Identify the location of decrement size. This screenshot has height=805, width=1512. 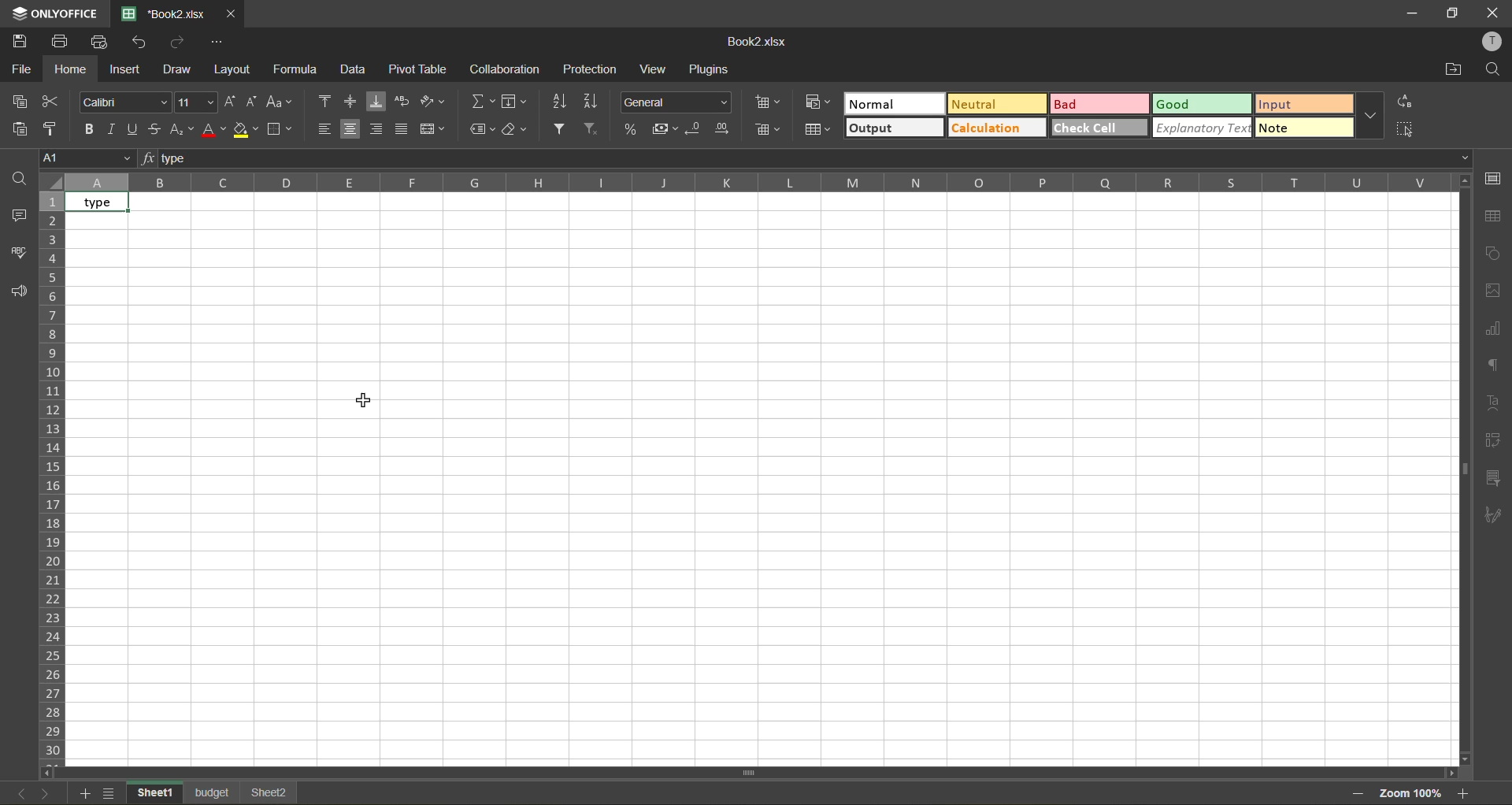
(254, 102).